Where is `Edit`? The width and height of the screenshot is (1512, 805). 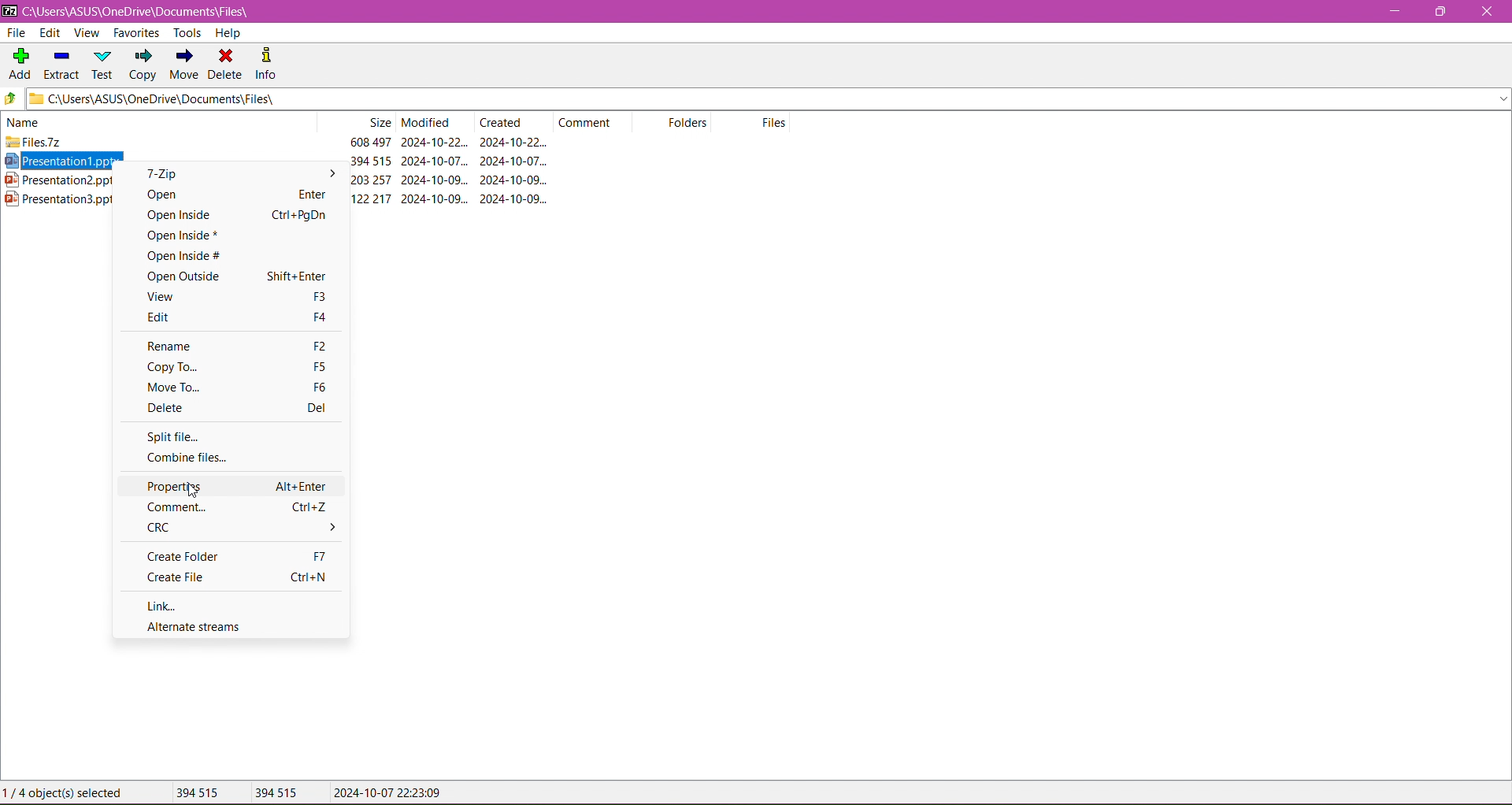
Edit is located at coordinates (50, 33).